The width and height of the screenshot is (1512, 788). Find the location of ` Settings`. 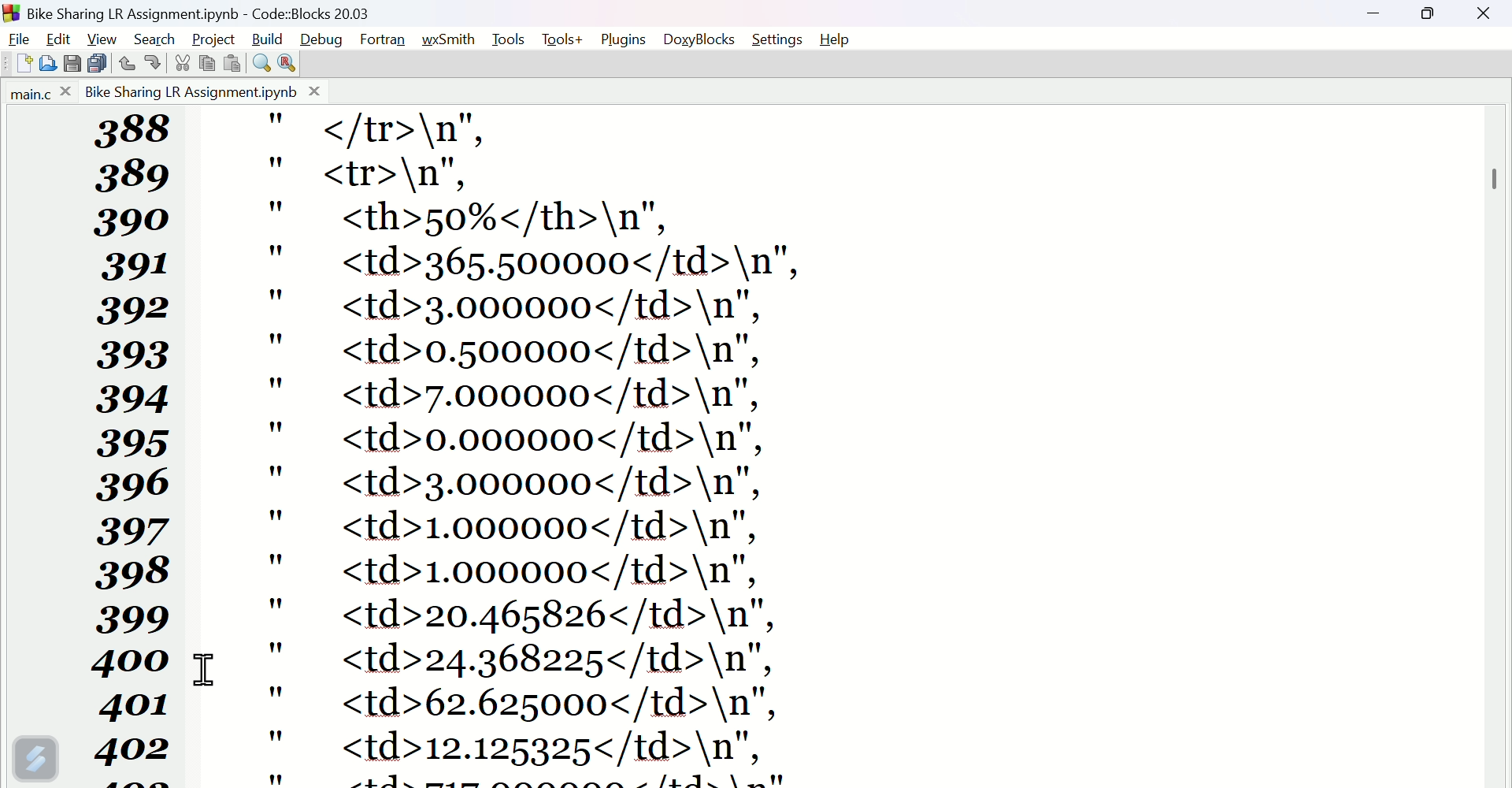

 Settings is located at coordinates (779, 39).